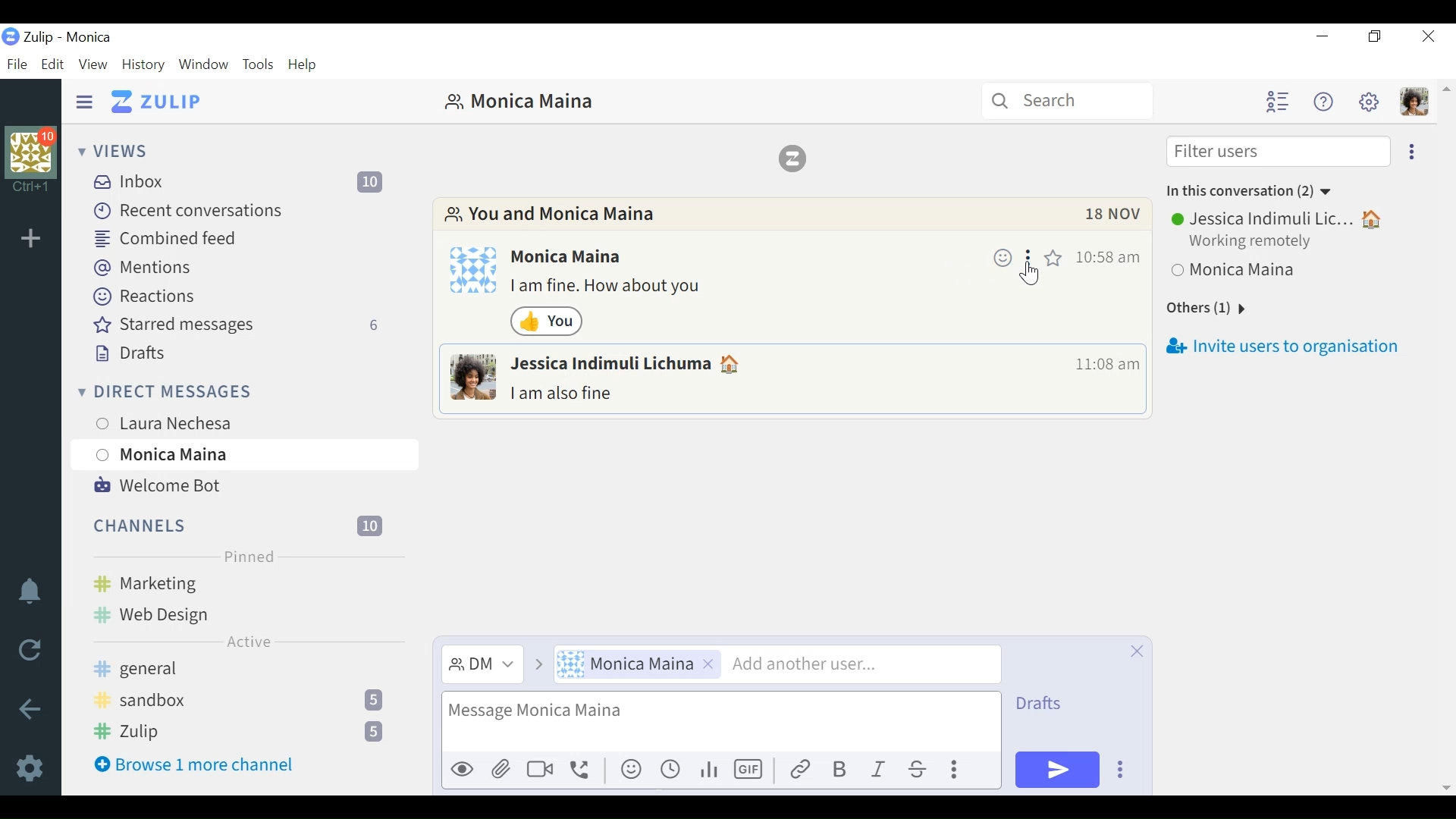 The height and width of the screenshot is (819, 1456). Describe the element at coordinates (1058, 770) in the screenshot. I see `send` at that location.